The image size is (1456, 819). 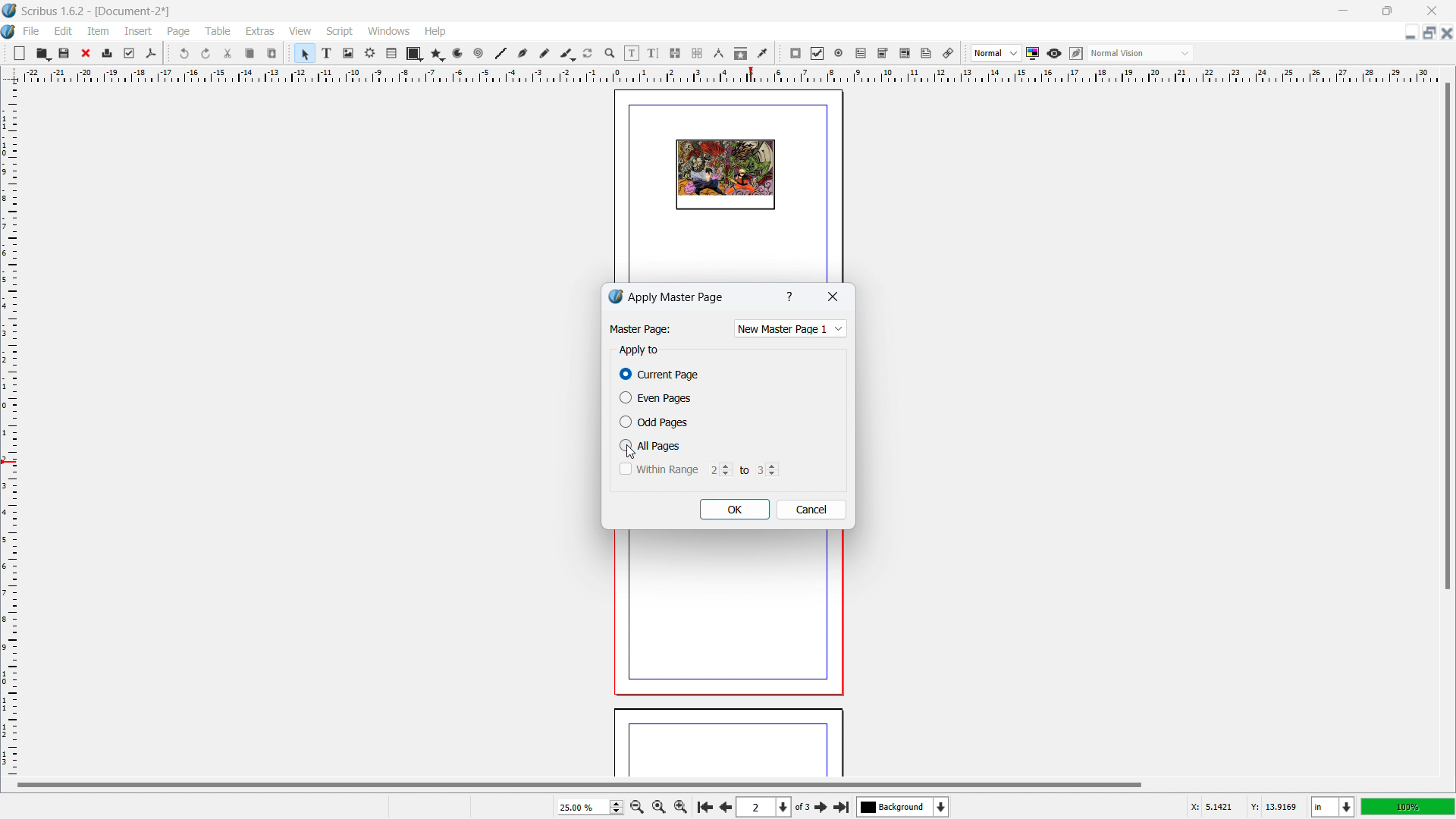 I want to click on new master page selected, so click(x=796, y=327).